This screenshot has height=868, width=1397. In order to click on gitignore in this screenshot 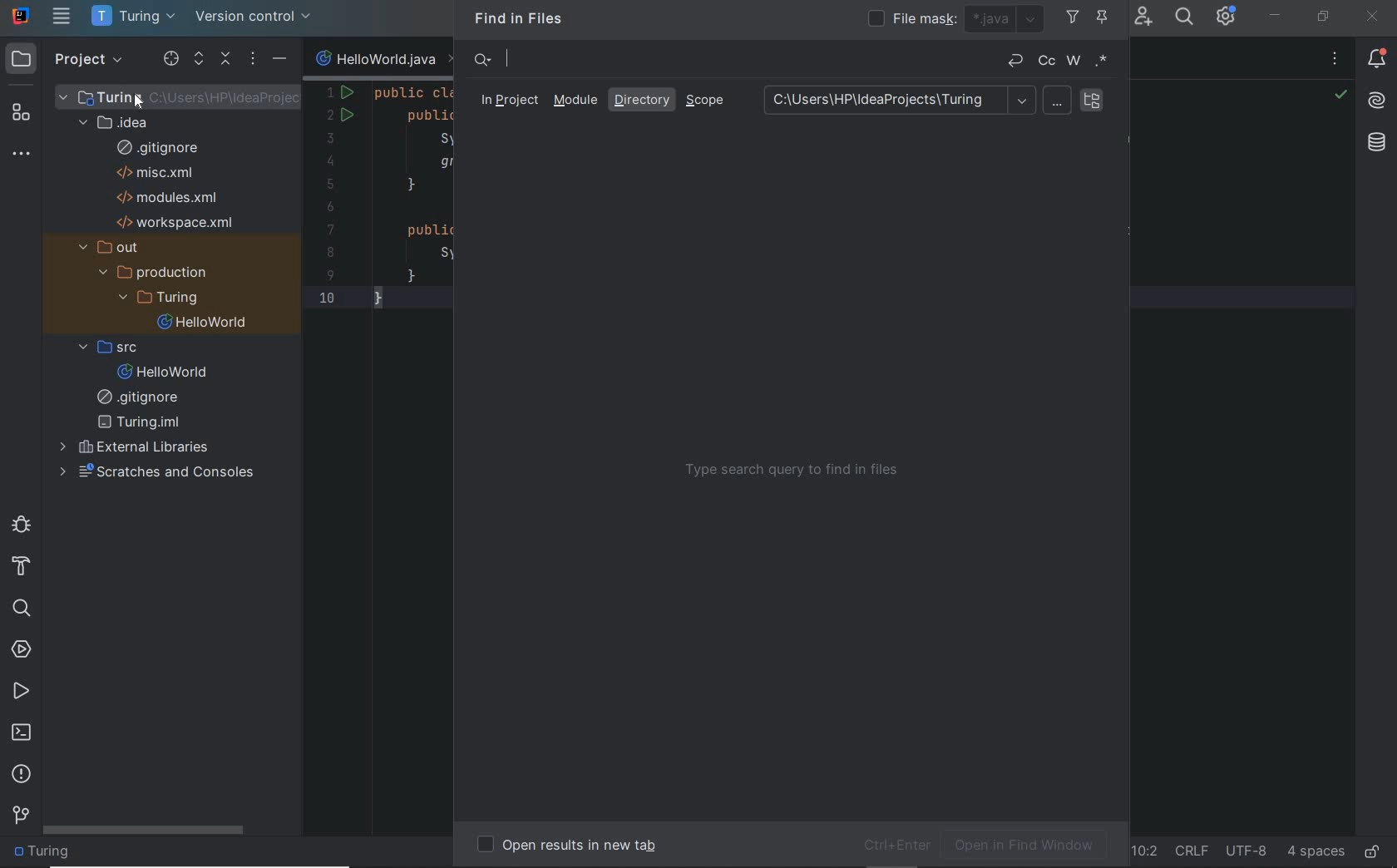, I will do `click(163, 147)`.